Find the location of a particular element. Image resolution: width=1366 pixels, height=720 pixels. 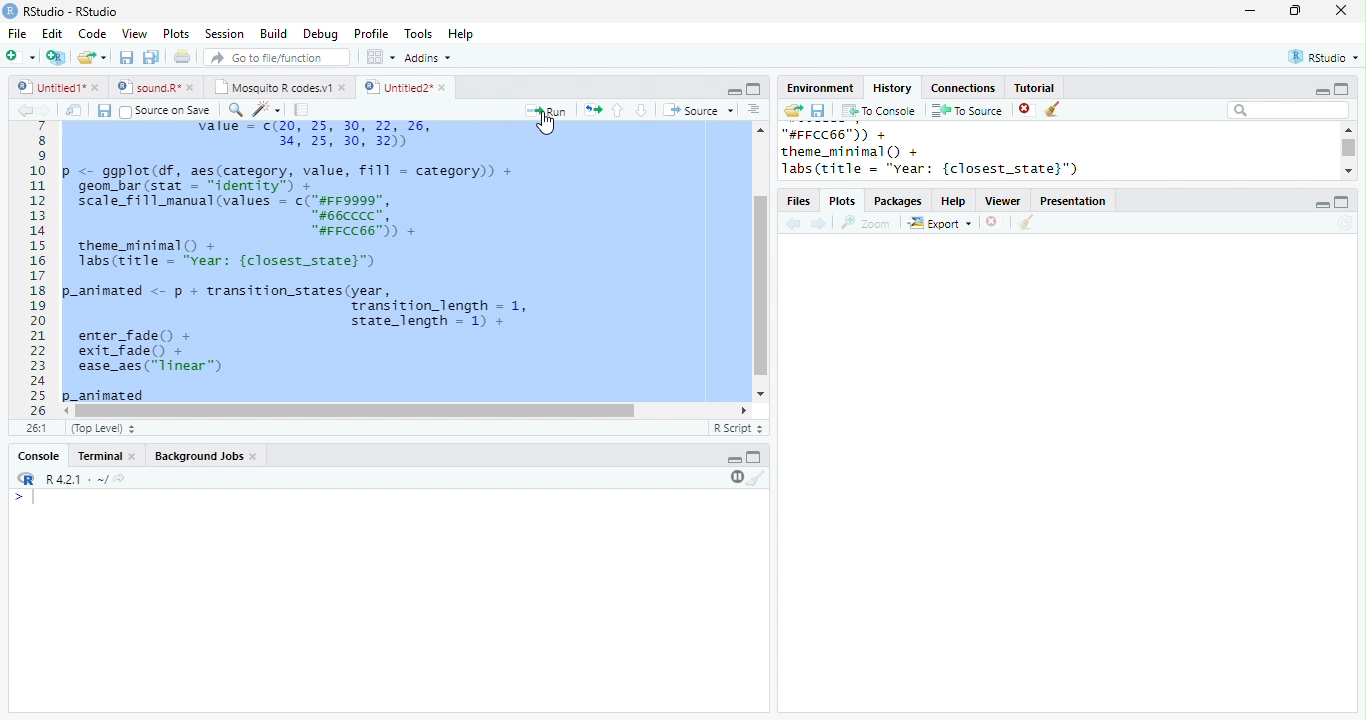

close is located at coordinates (1341, 10).